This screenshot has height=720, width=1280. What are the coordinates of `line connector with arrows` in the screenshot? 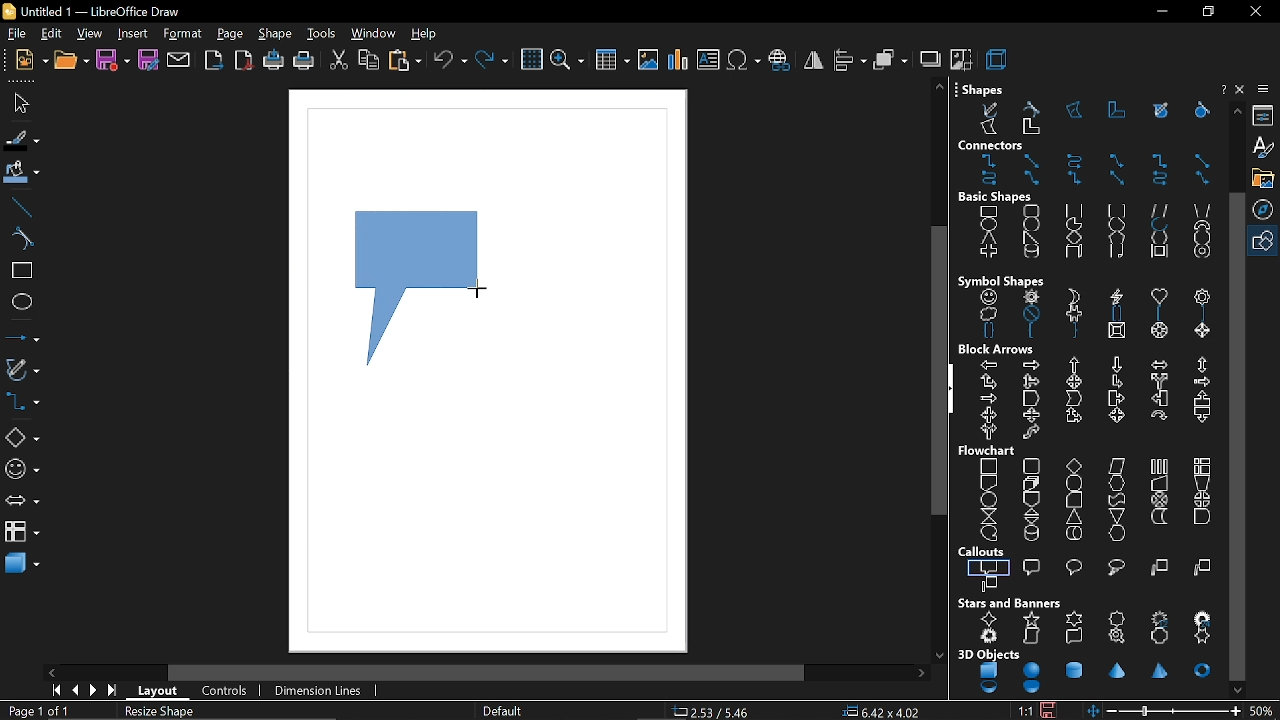 It's located at (1200, 179).